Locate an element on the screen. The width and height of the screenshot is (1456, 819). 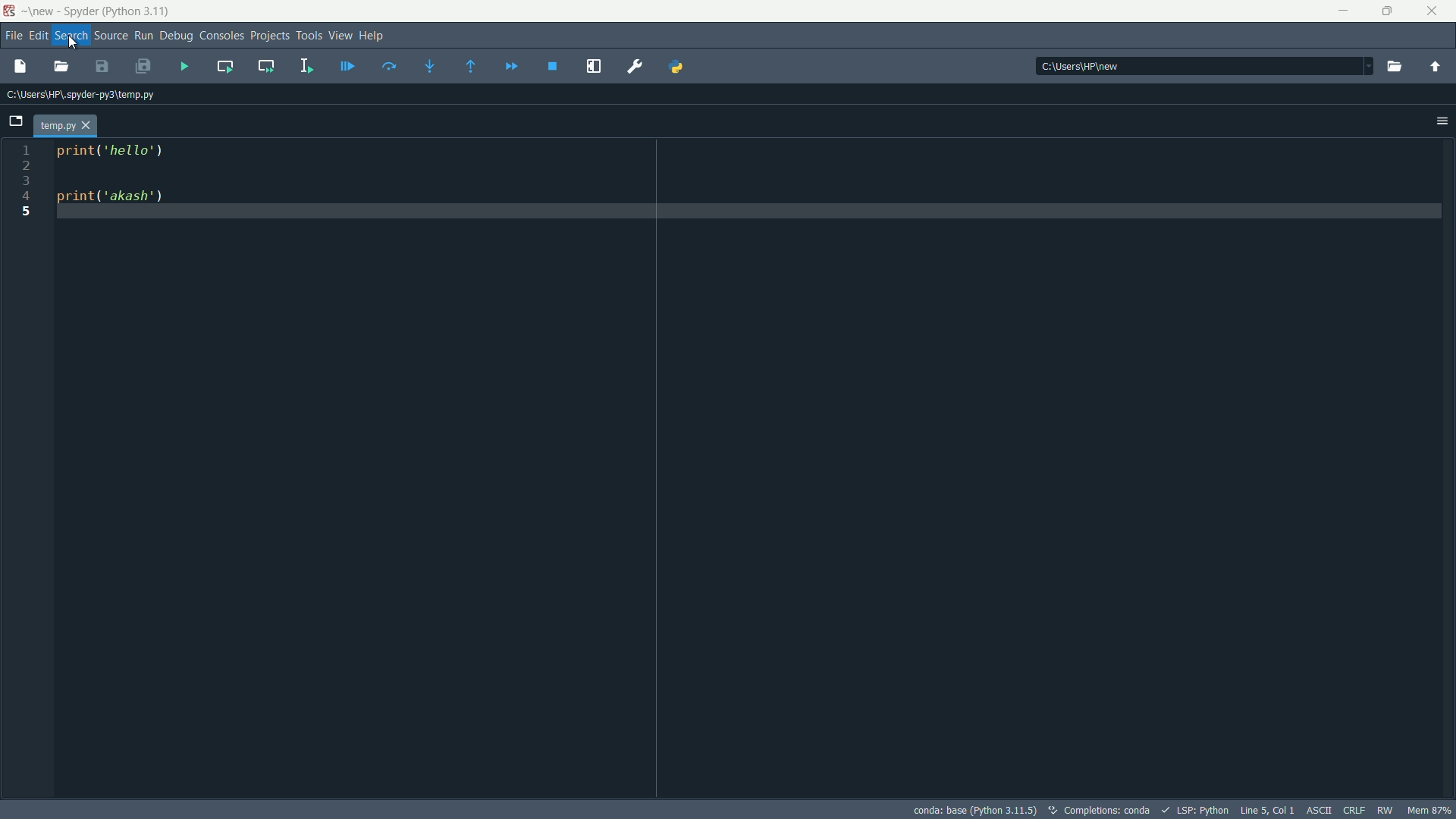
save all files is located at coordinates (145, 65).